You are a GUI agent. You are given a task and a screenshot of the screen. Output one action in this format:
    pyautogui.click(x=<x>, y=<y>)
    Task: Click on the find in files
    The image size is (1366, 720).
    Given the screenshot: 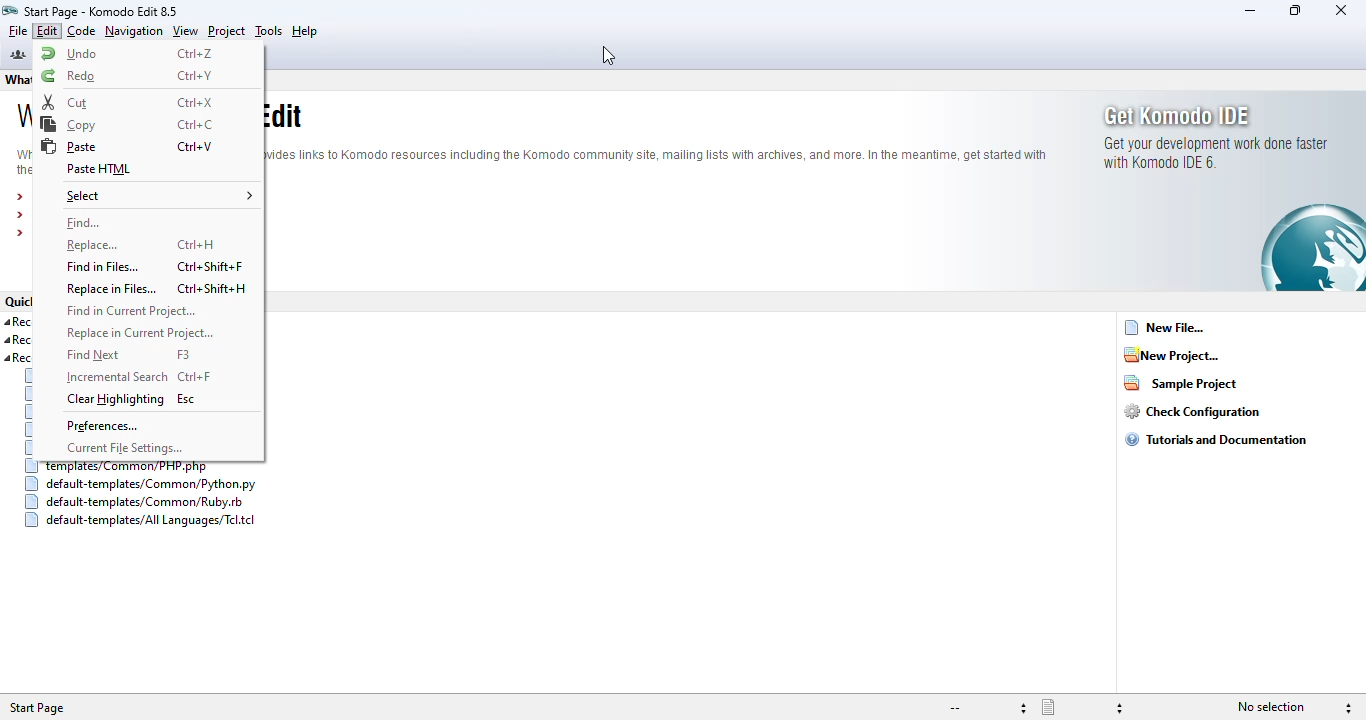 What is the action you would take?
    pyautogui.click(x=104, y=267)
    